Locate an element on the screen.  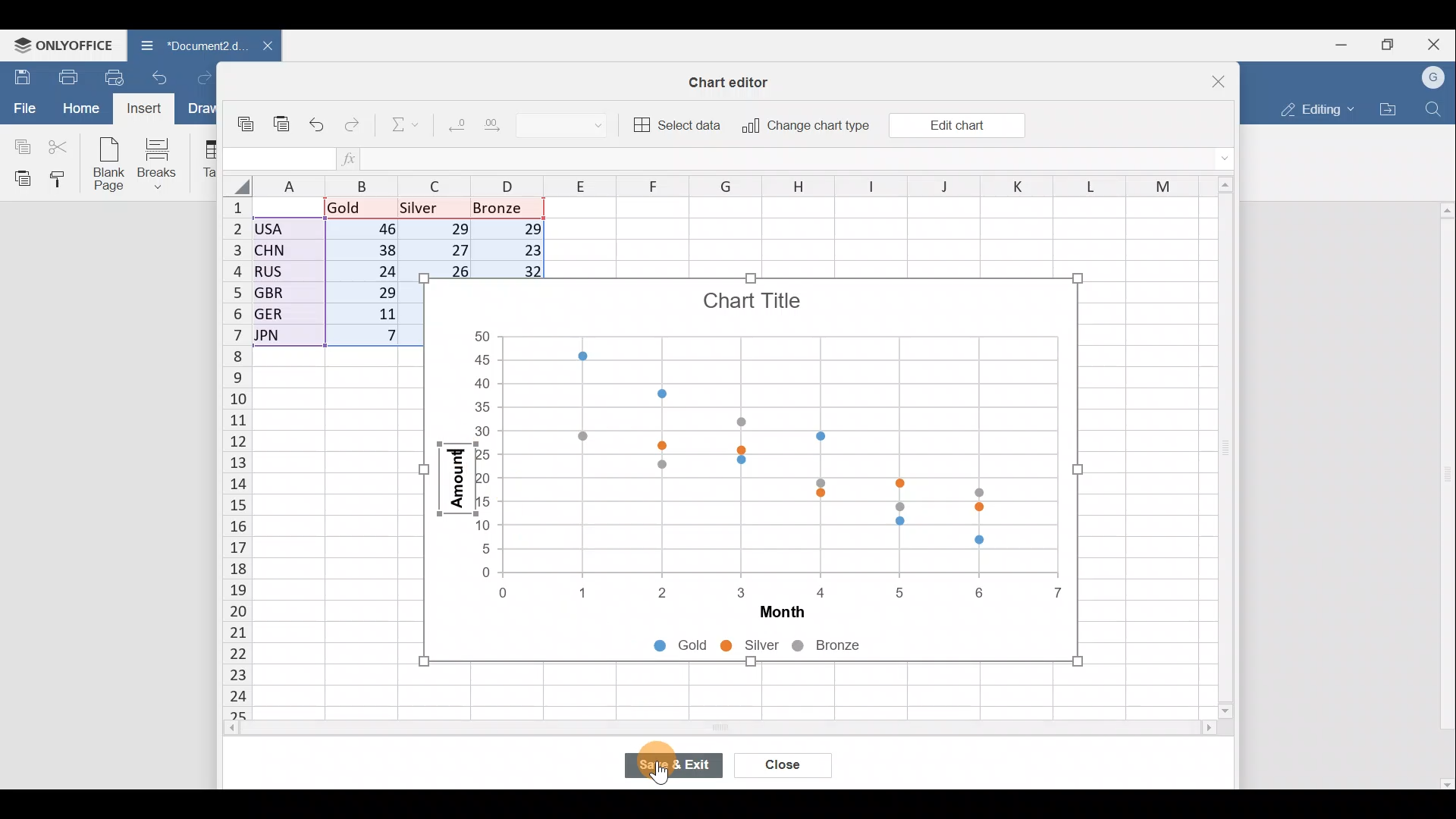
Summation is located at coordinates (397, 127).